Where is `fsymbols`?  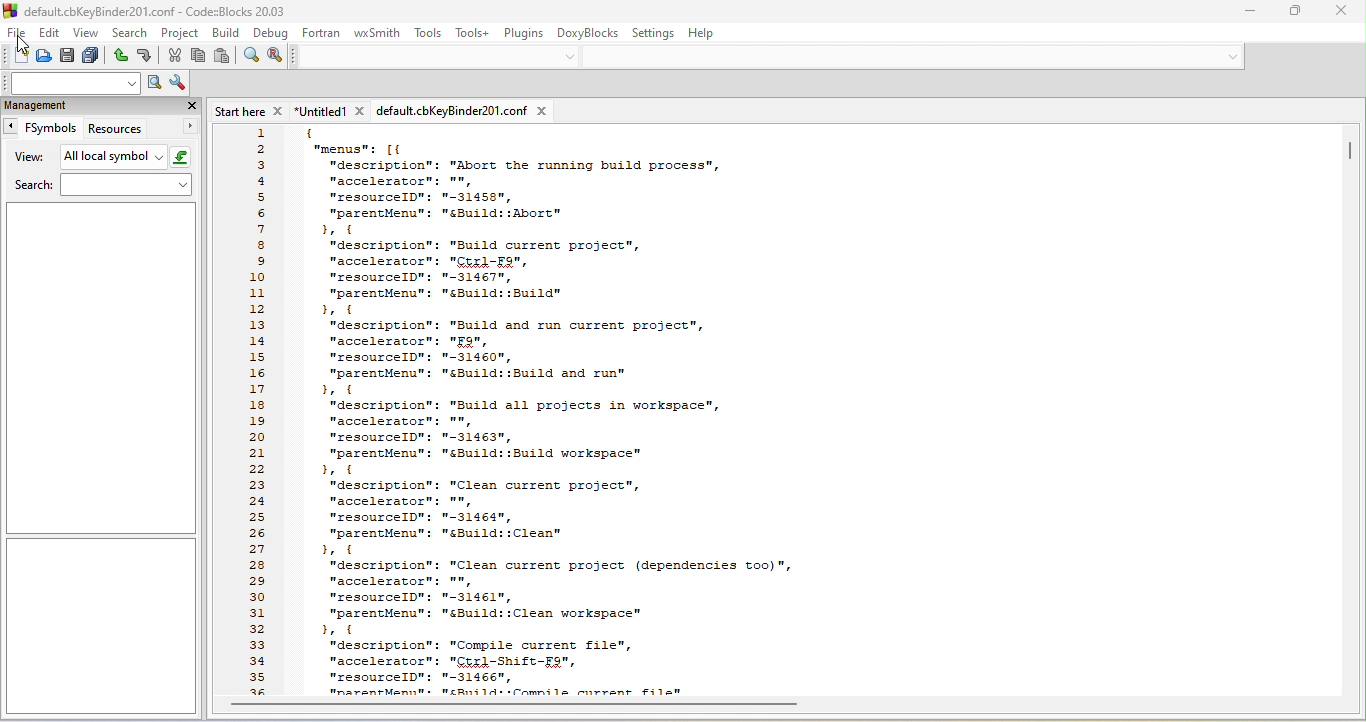 fsymbols is located at coordinates (40, 127).